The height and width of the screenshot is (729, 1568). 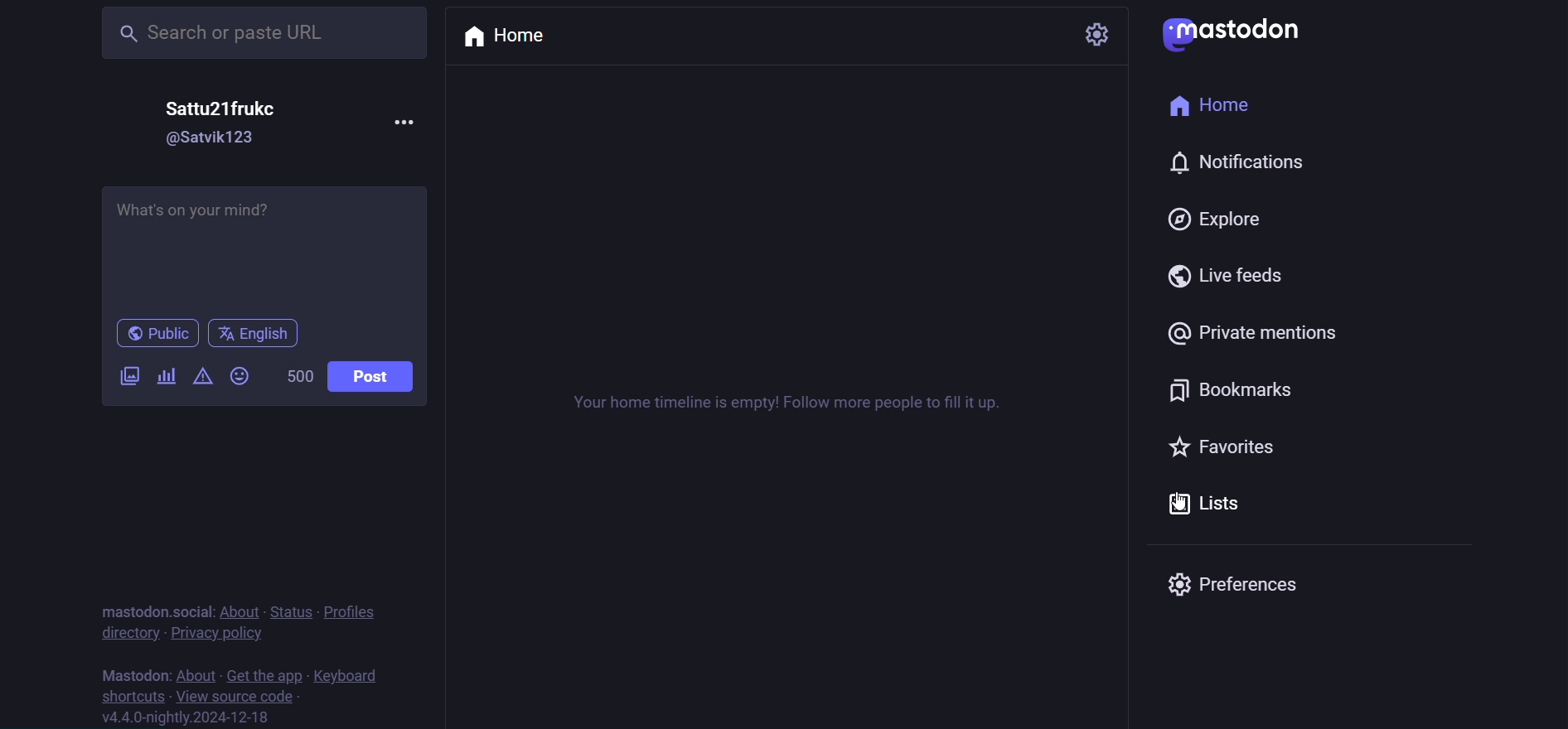 I want to click on word limit, so click(x=296, y=375).